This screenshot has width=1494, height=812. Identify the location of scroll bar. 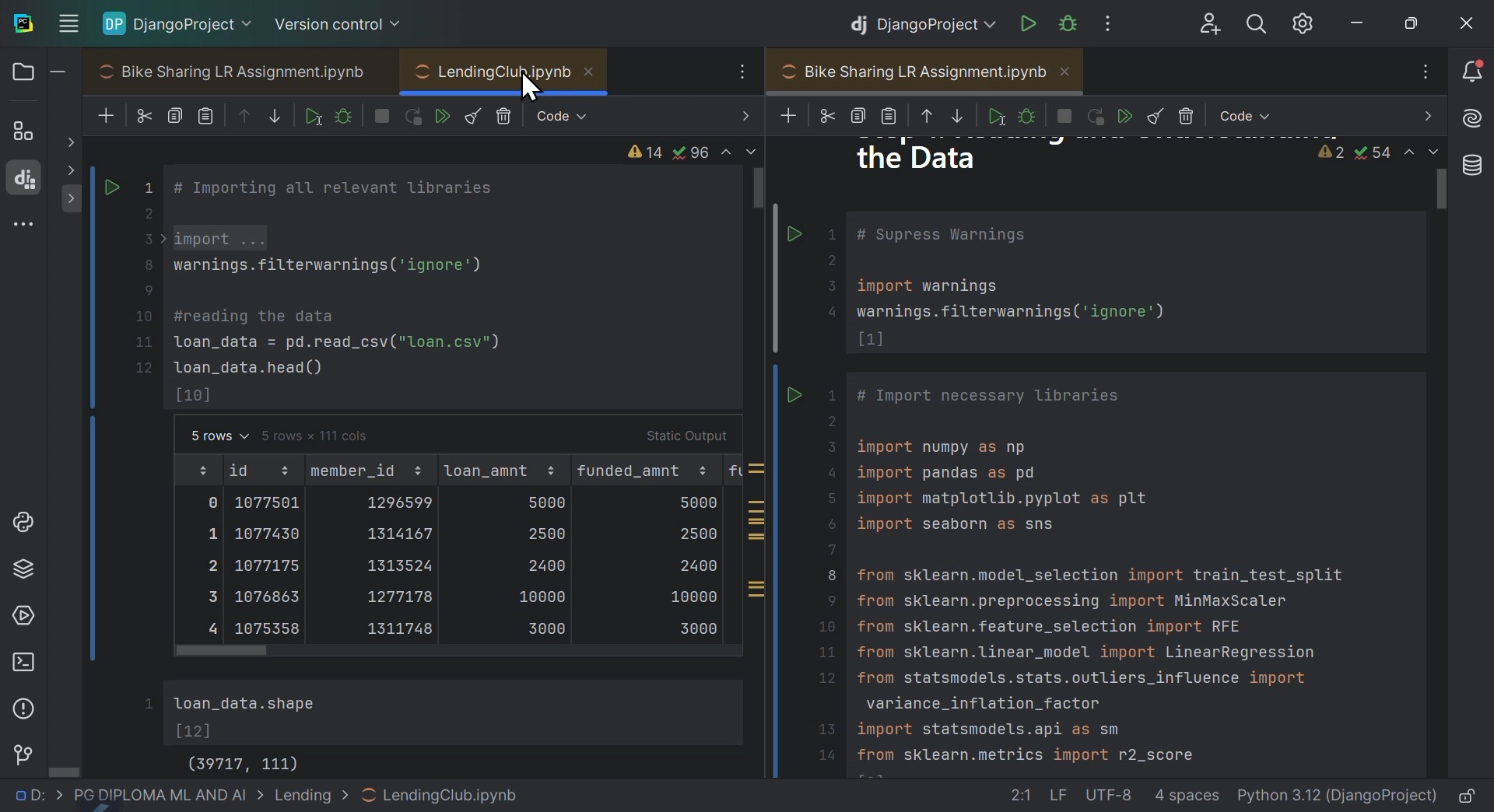
(1442, 188).